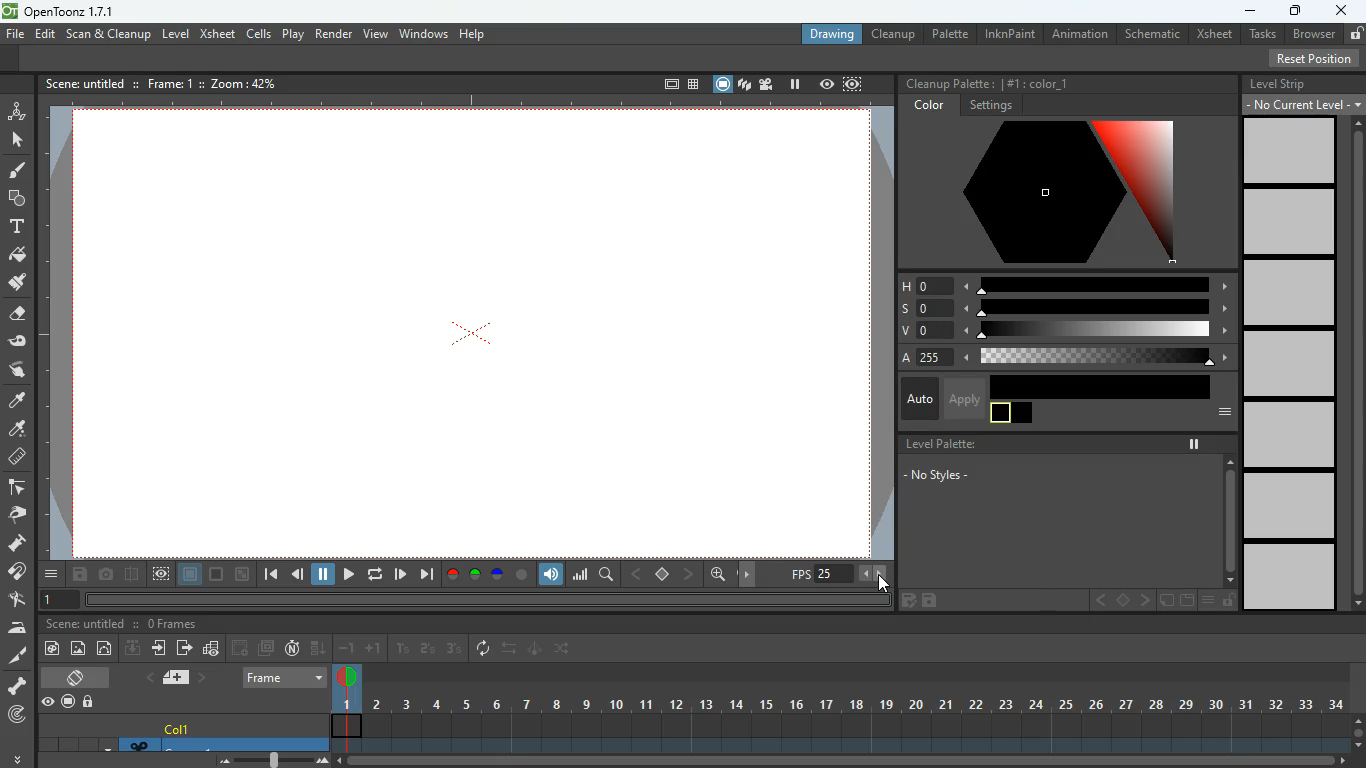 The height and width of the screenshot is (768, 1366). I want to click on play, so click(348, 574).